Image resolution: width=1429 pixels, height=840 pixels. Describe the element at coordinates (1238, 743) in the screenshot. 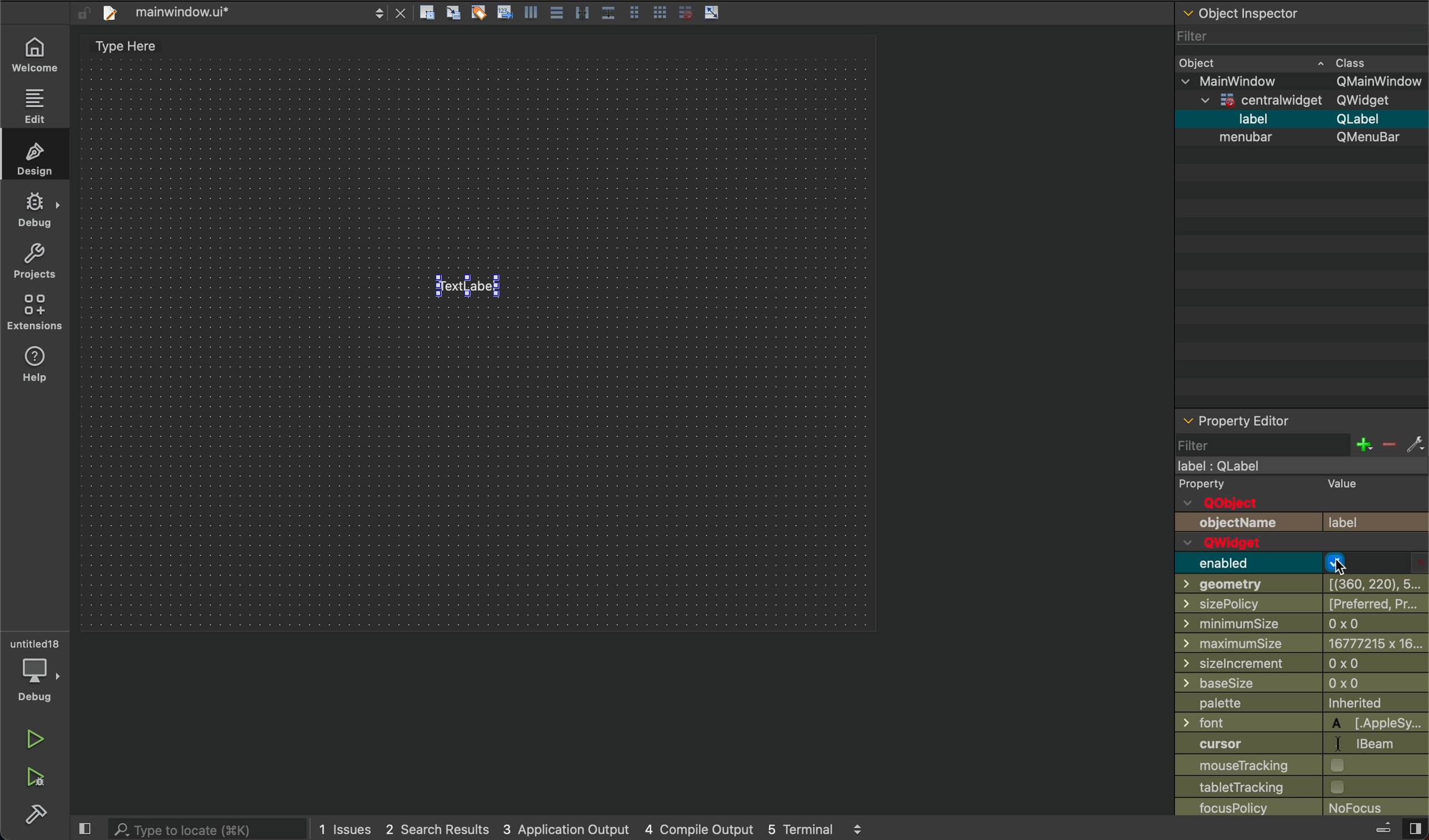

I see `curosor` at that location.